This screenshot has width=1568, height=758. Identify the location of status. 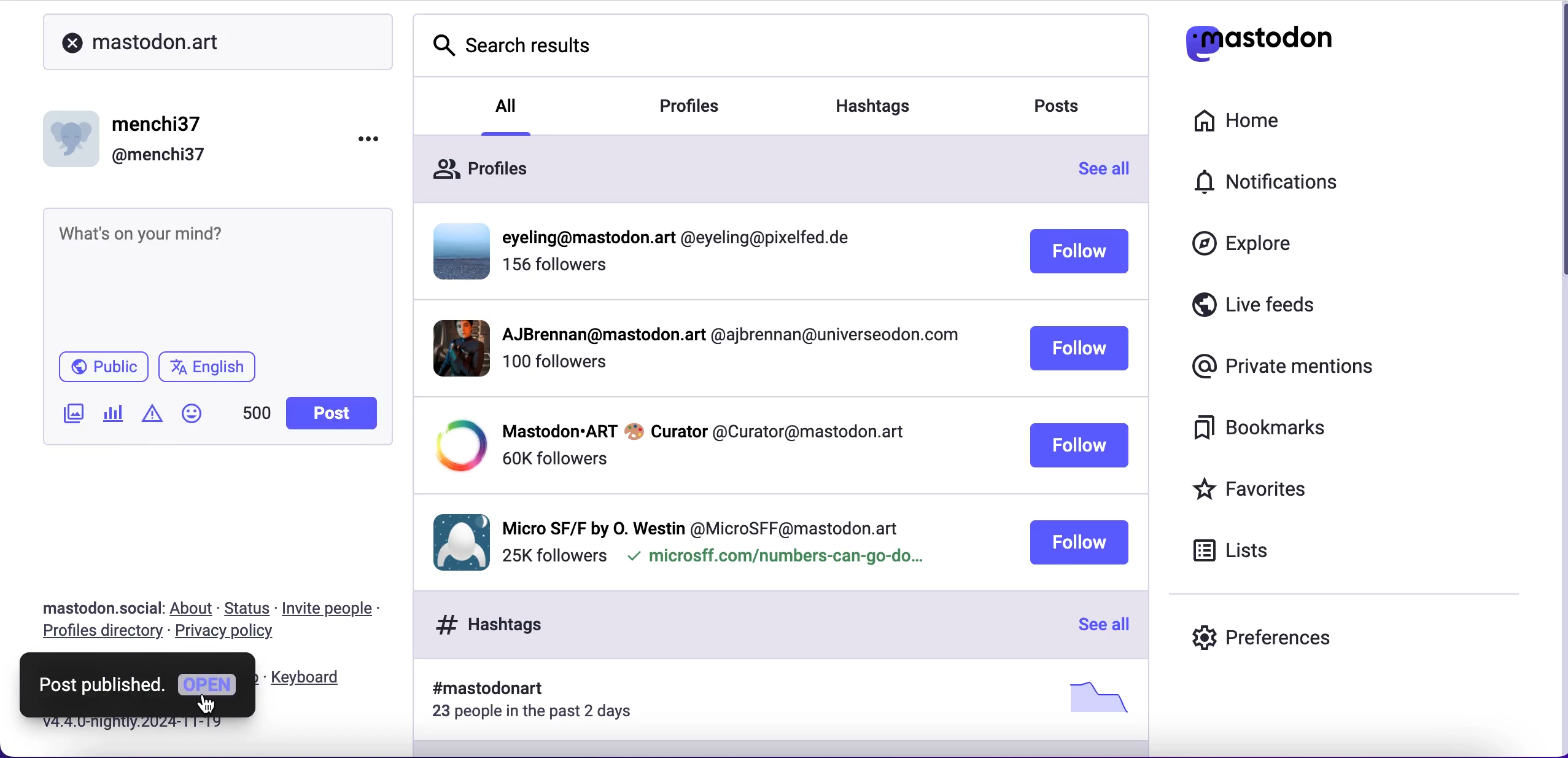
(248, 608).